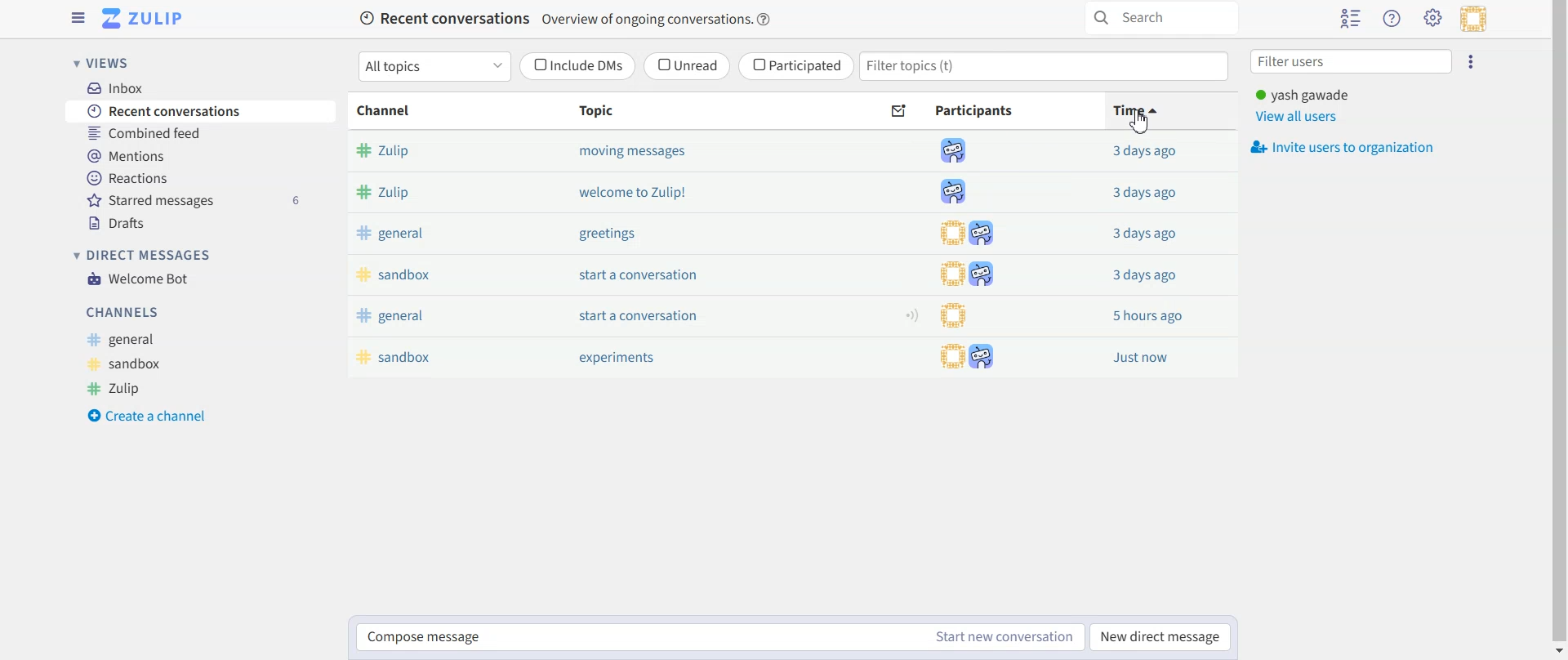 The width and height of the screenshot is (1568, 660). What do you see at coordinates (765, 20) in the screenshot?
I see `help` at bounding box center [765, 20].